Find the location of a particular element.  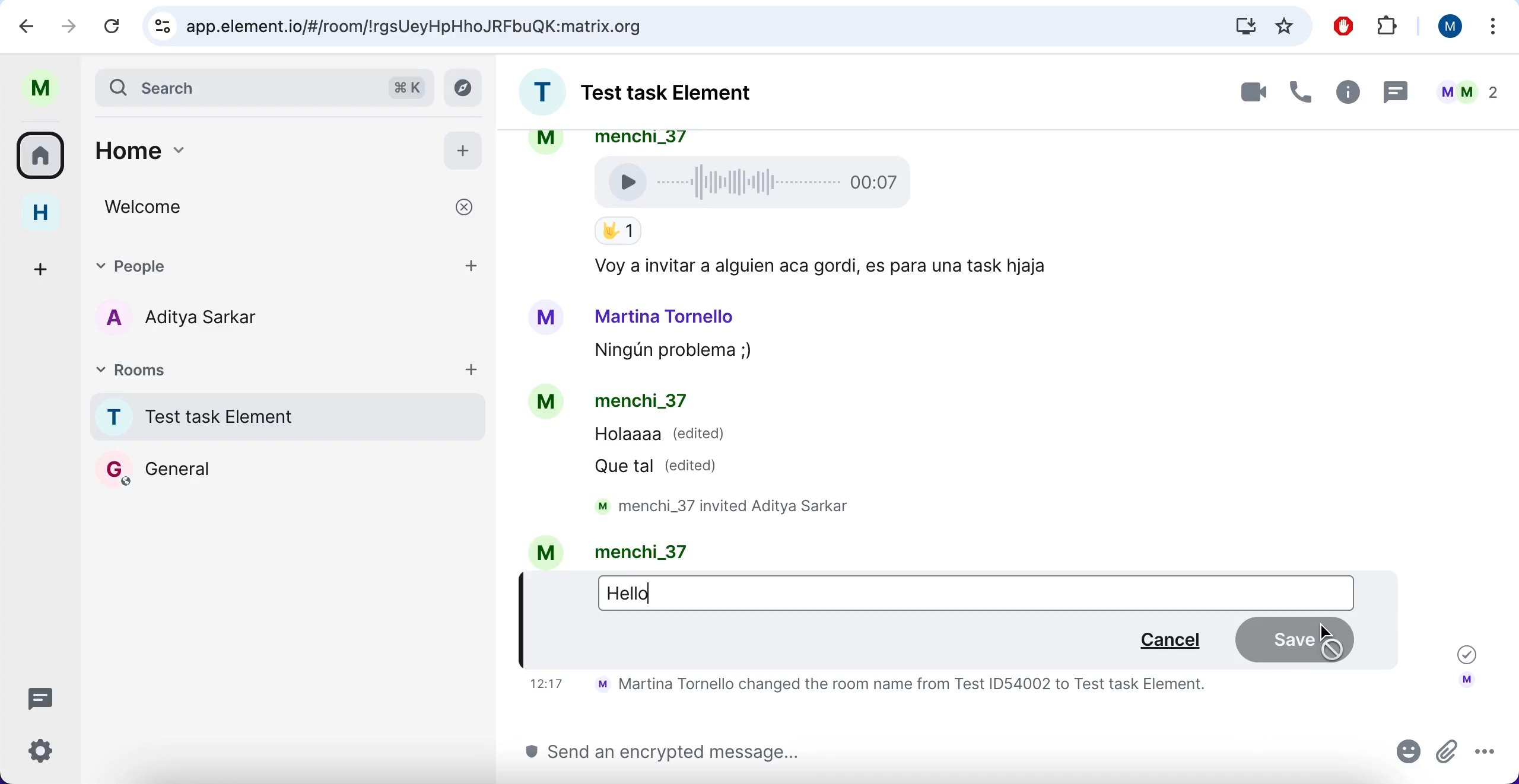

more options is located at coordinates (1486, 756).